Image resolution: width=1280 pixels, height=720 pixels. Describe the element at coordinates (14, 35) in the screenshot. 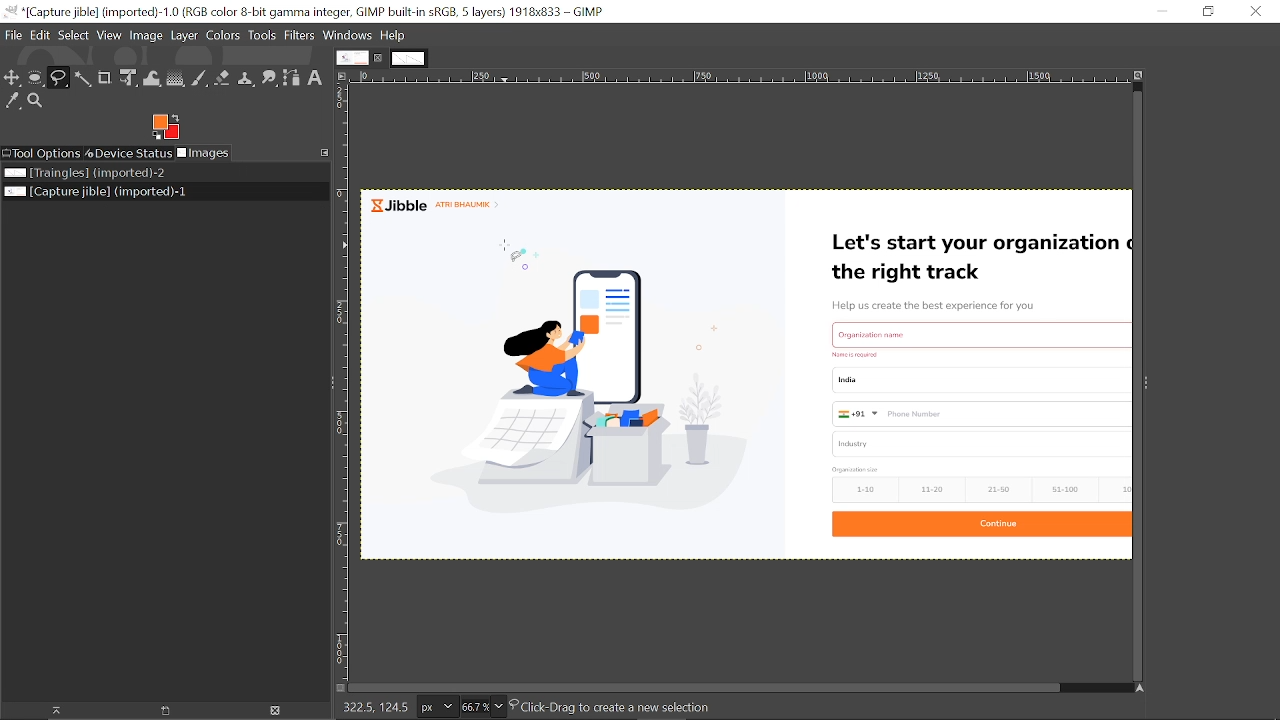

I see `File` at that location.